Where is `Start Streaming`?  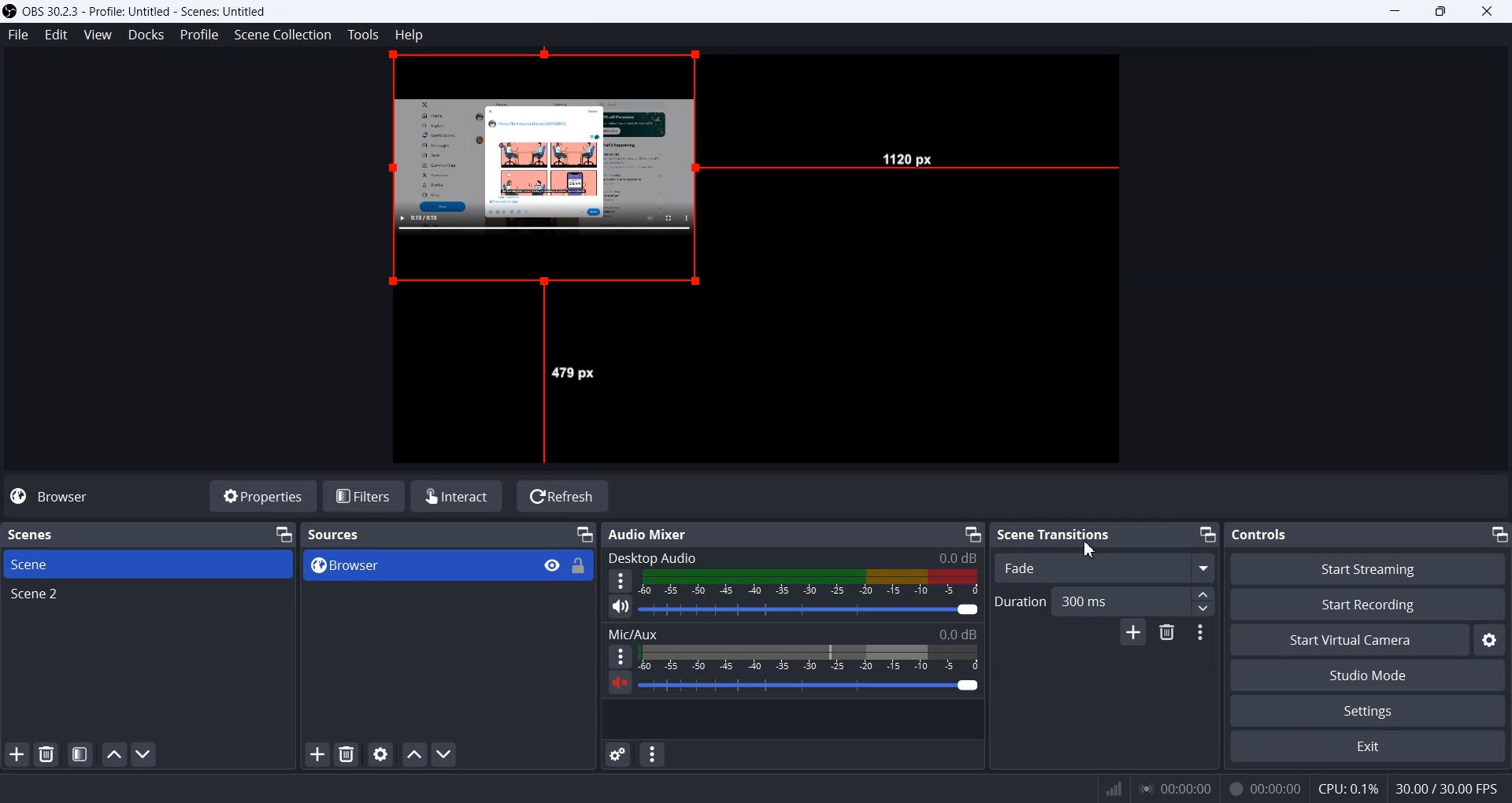 Start Streaming is located at coordinates (1367, 567).